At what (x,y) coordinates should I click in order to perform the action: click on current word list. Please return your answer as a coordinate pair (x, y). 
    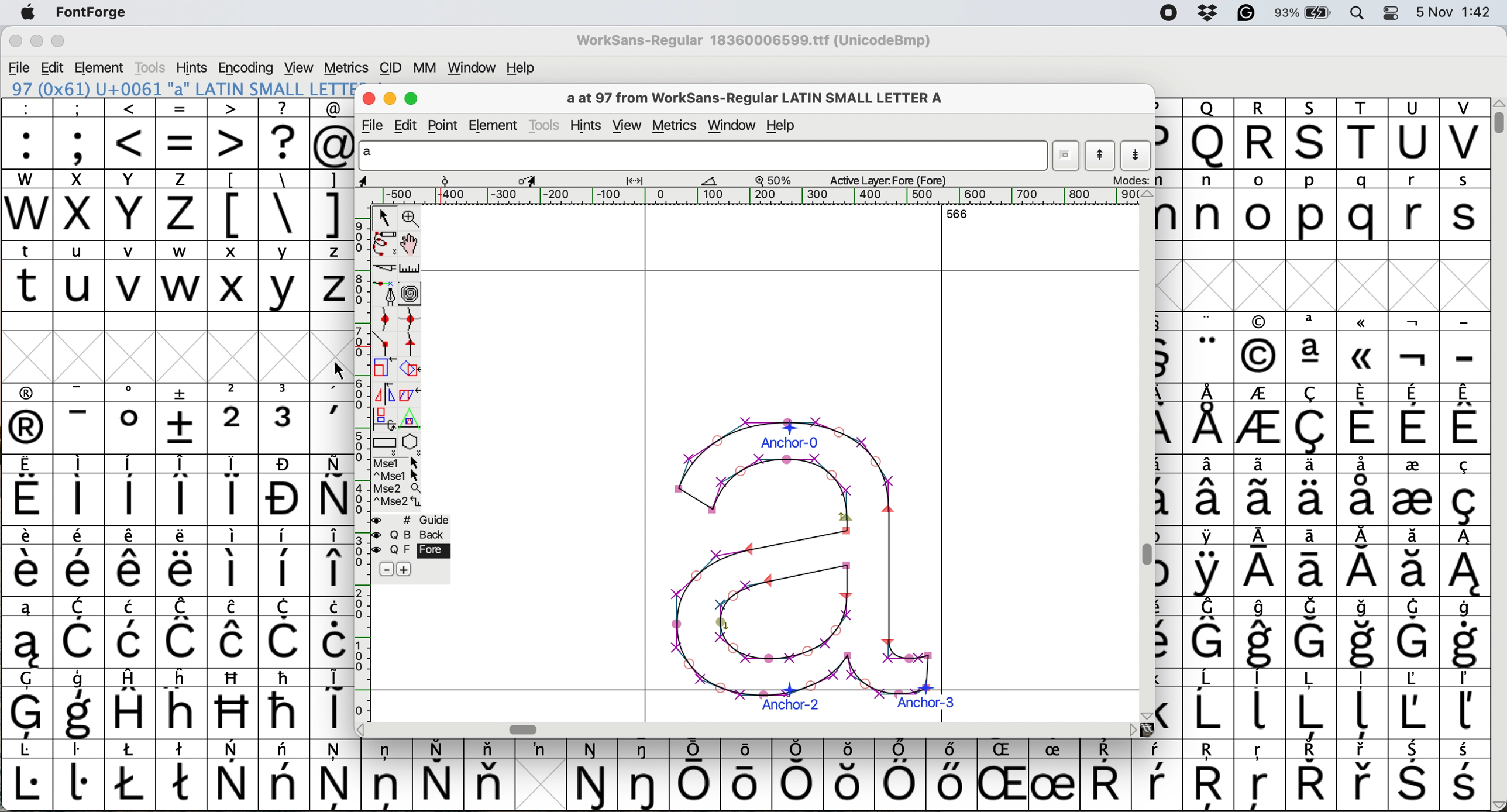
    Looking at the image, I should click on (1068, 155).